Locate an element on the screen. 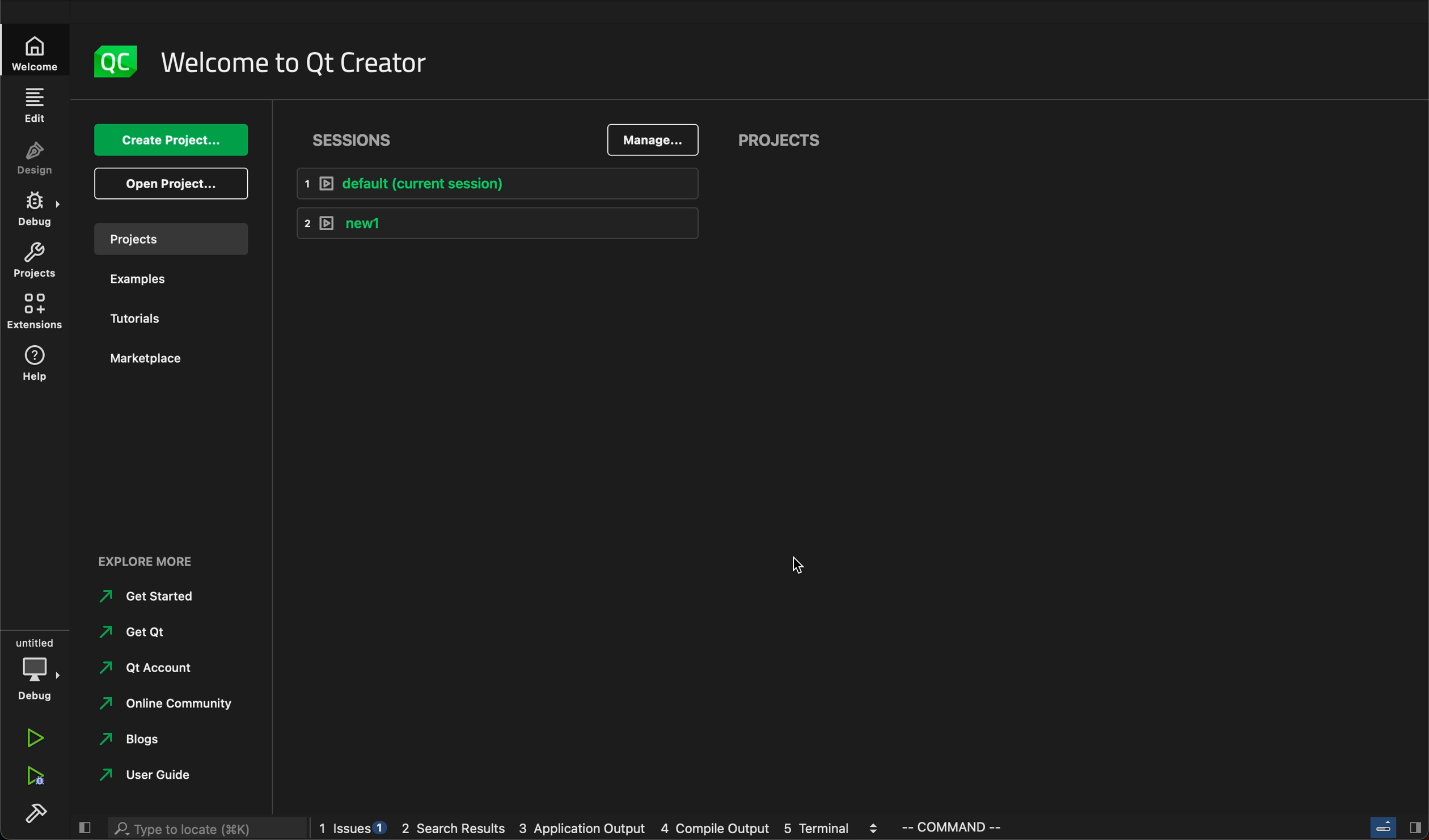 The height and width of the screenshot is (840, 1429). command is located at coordinates (964, 828).